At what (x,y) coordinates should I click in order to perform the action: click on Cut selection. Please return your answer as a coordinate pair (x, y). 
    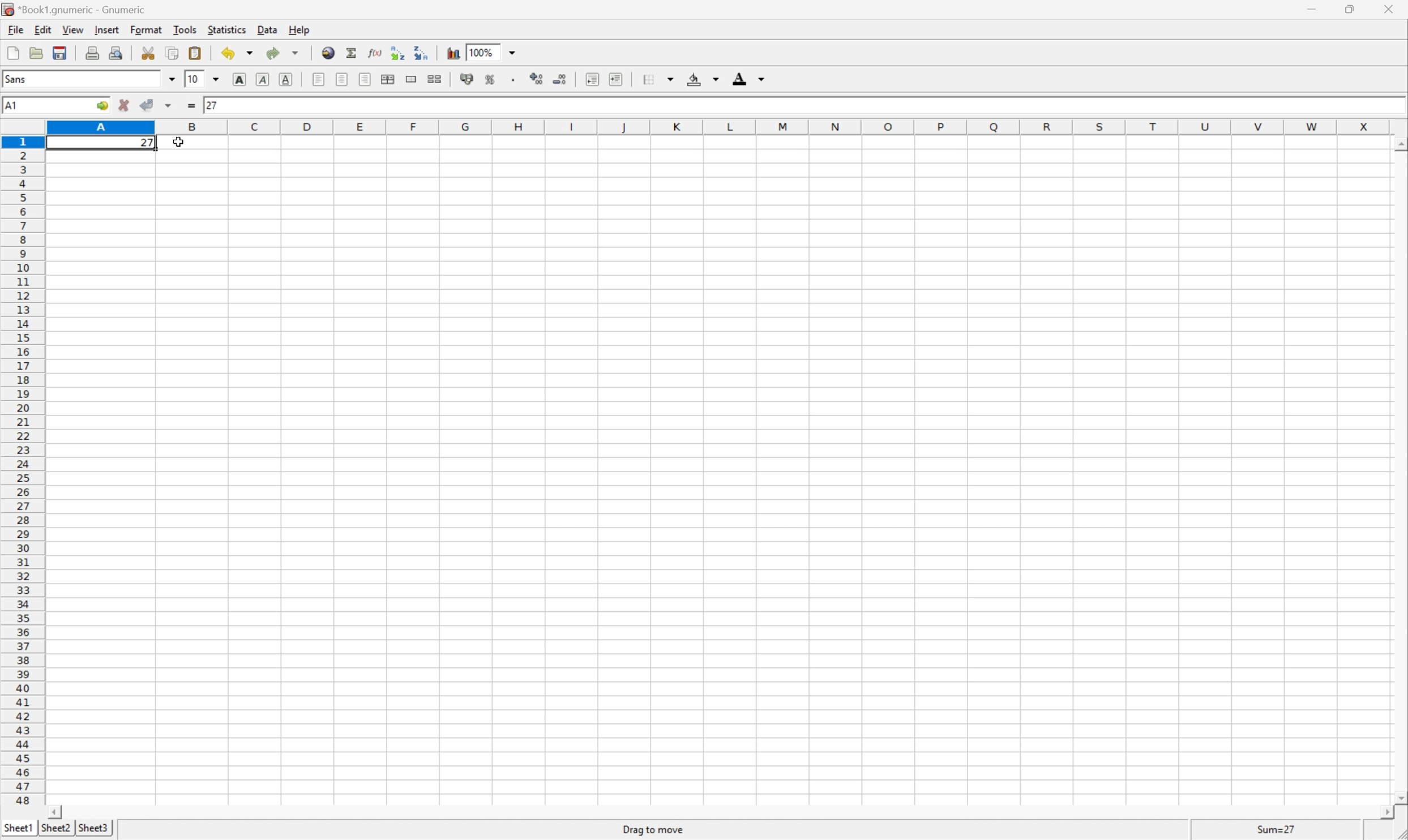
    Looking at the image, I should click on (151, 52).